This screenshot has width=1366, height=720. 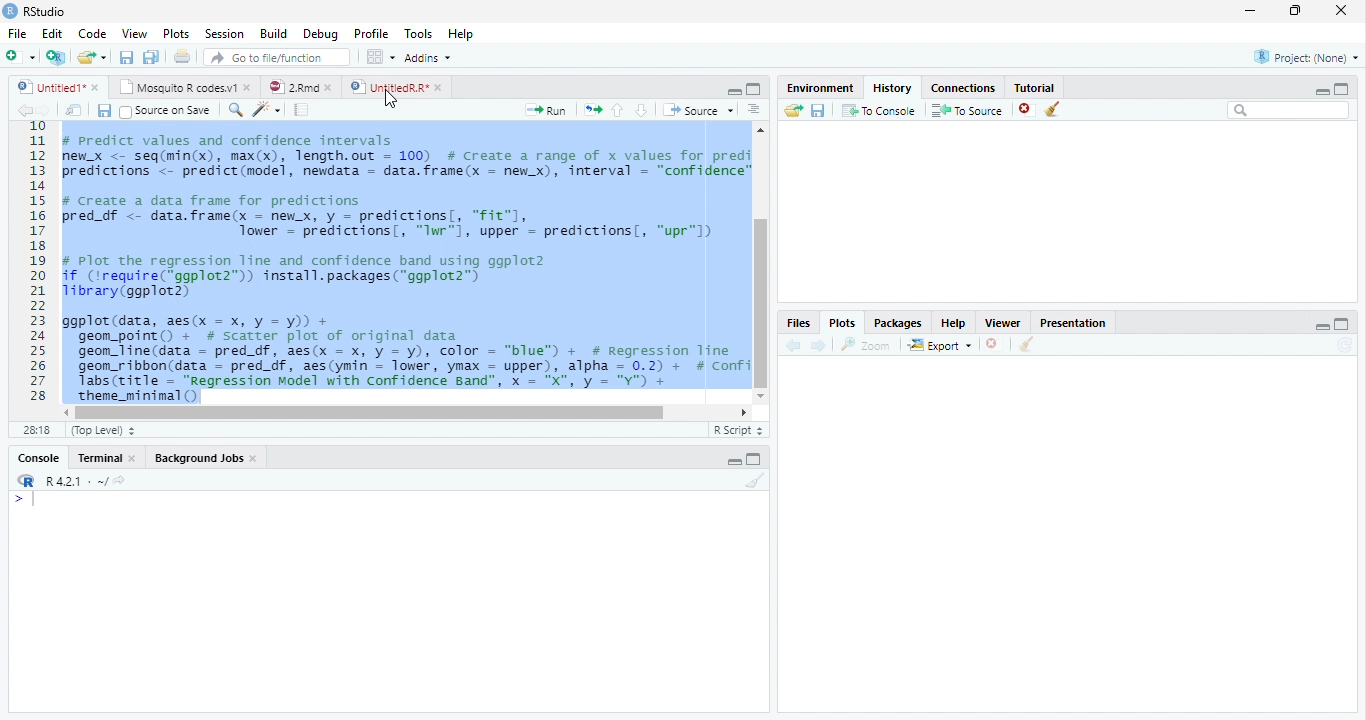 I want to click on 1:1, so click(x=32, y=433).